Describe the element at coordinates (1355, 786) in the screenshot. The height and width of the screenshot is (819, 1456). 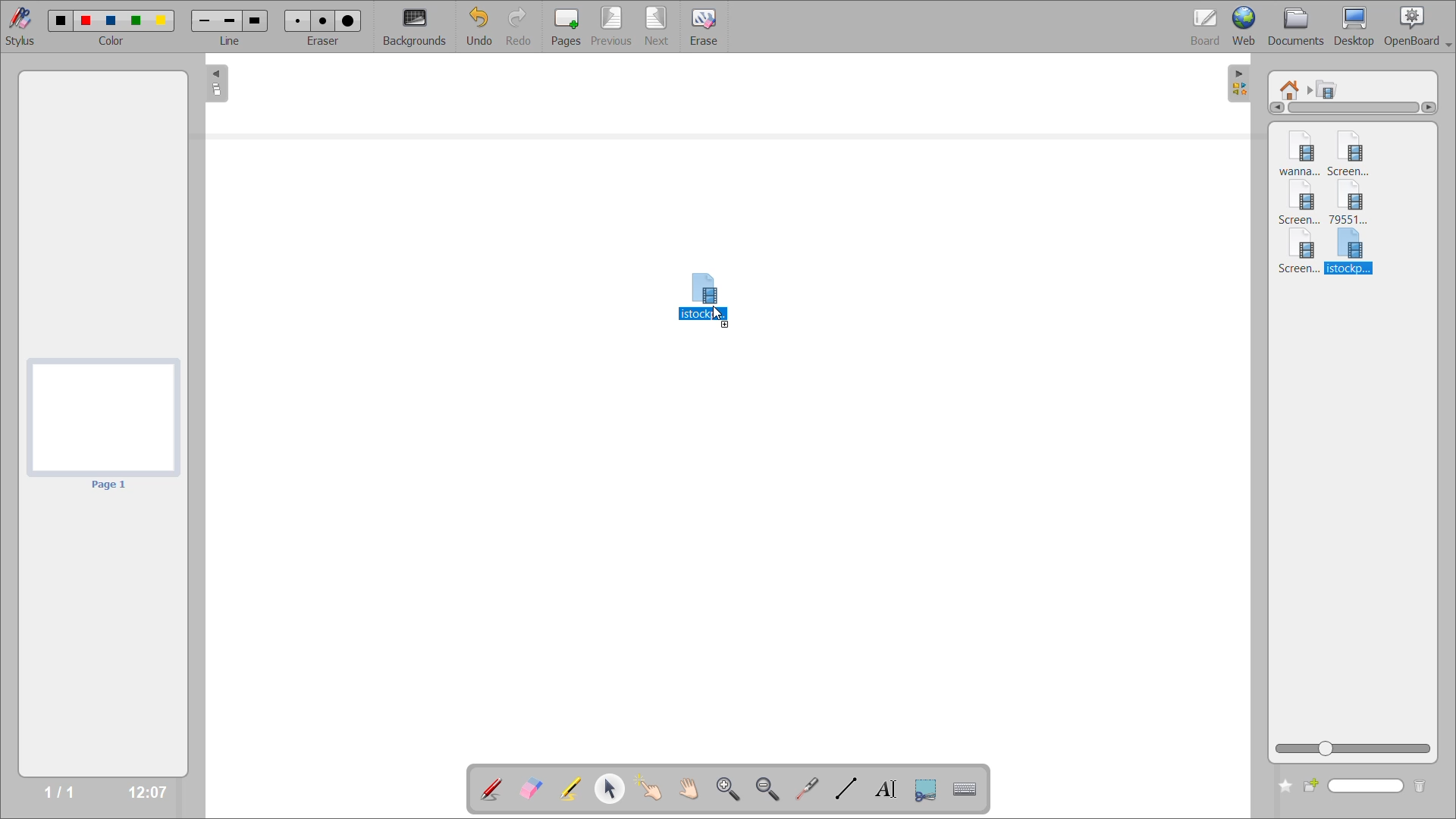
I see `name box` at that location.